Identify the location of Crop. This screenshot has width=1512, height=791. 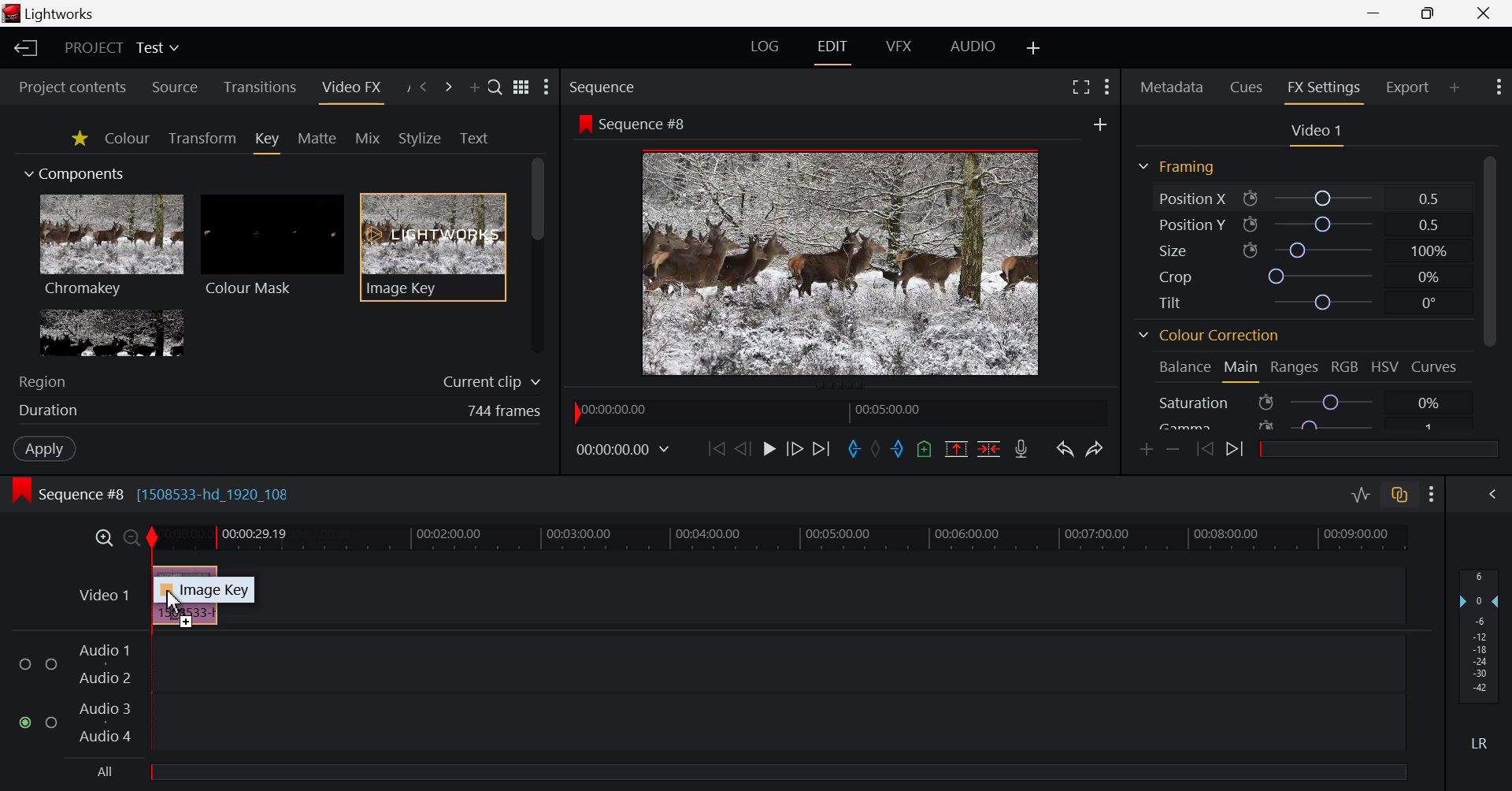
(1173, 277).